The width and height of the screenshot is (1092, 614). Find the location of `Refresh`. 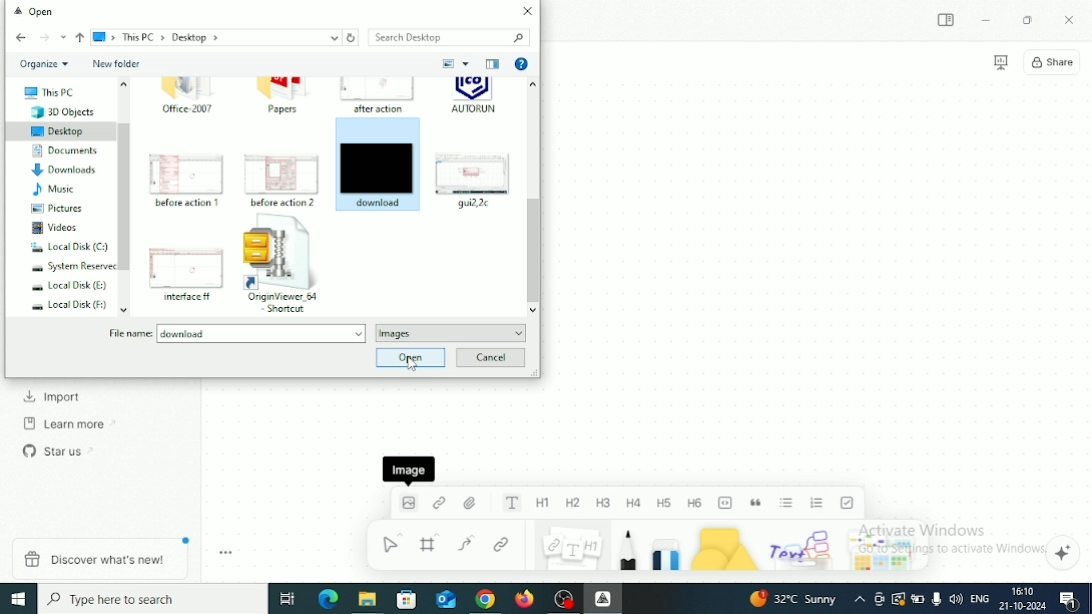

Refresh is located at coordinates (353, 37).